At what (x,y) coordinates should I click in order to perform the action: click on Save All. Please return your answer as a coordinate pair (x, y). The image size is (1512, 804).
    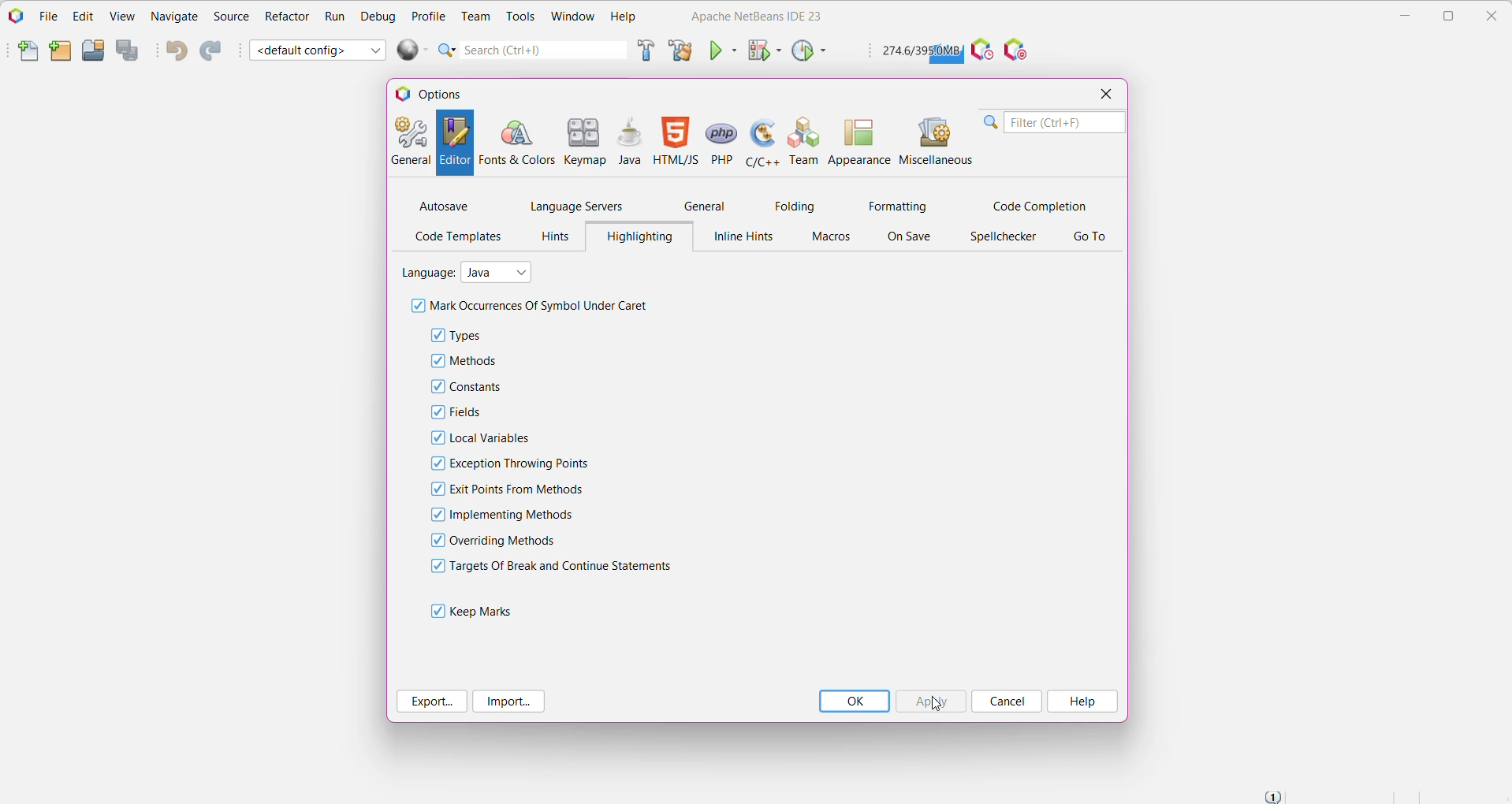
    Looking at the image, I should click on (129, 50).